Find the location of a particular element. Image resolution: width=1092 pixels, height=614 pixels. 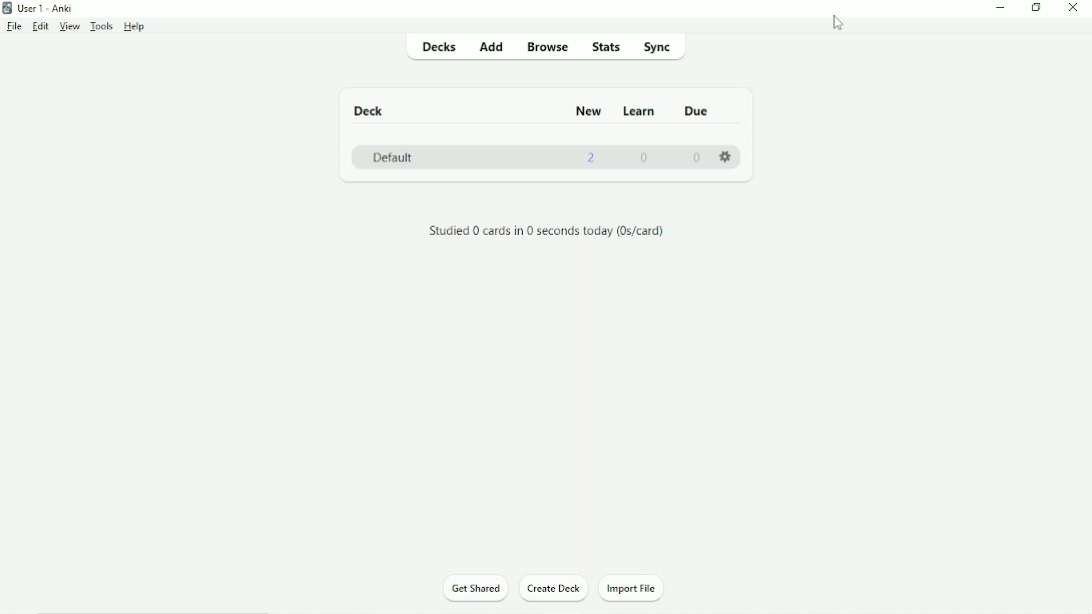

View is located at coordinates (70, 26).